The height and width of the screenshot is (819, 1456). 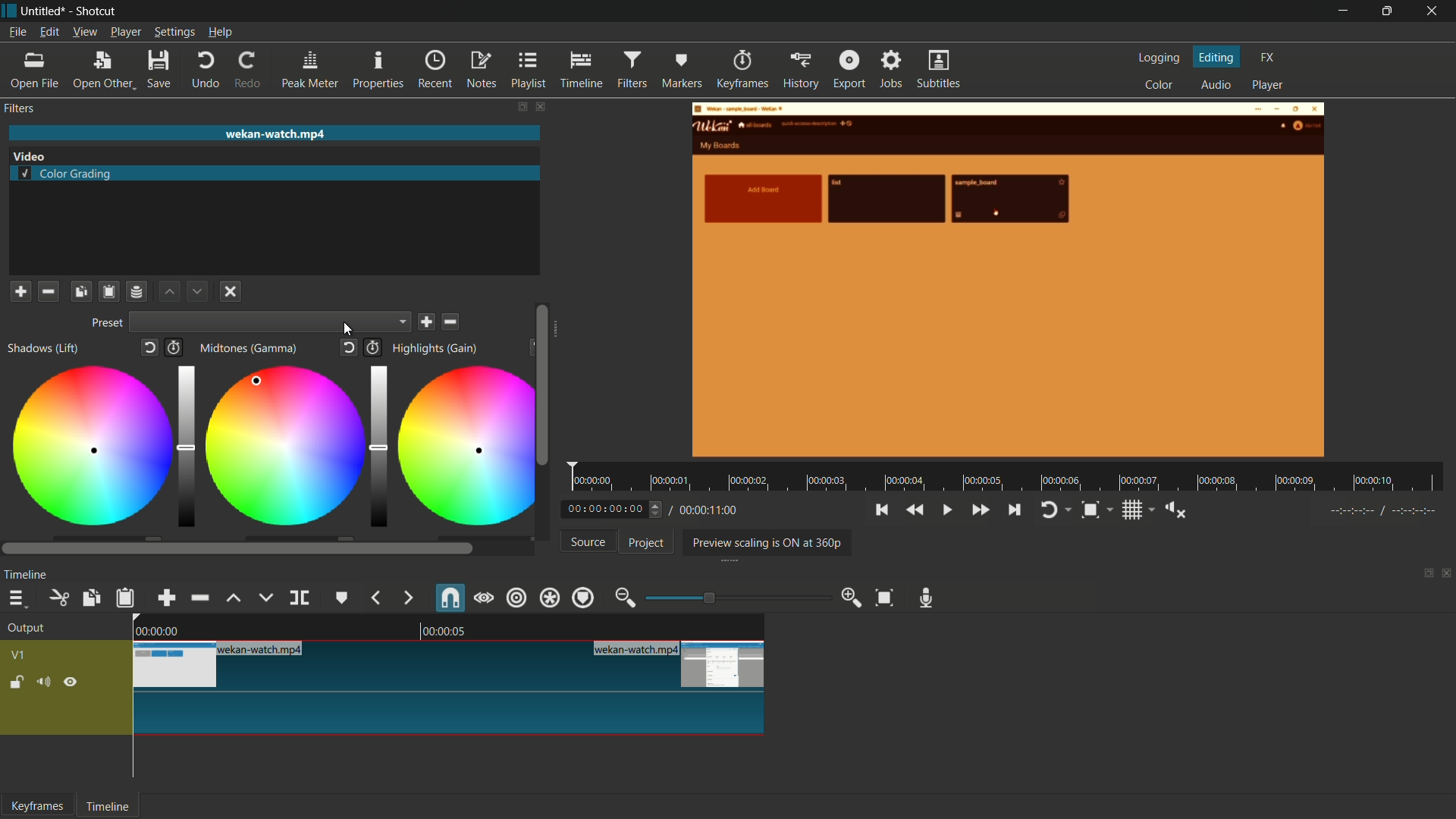 What do you see at coordinates (257, 378) in the screenshot?
I see `cursor` at bounding box center [257, 378].